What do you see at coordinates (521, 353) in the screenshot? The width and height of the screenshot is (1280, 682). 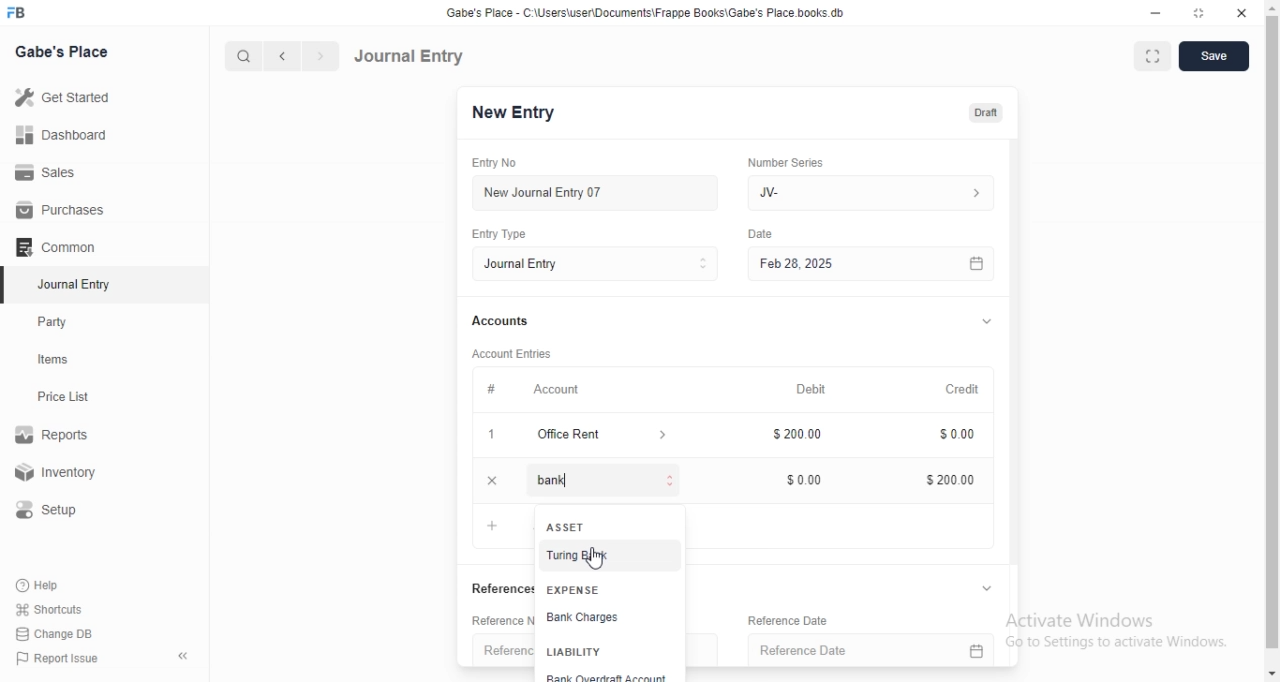 I see `‘Account Entries` at bounding box center [521, 353].